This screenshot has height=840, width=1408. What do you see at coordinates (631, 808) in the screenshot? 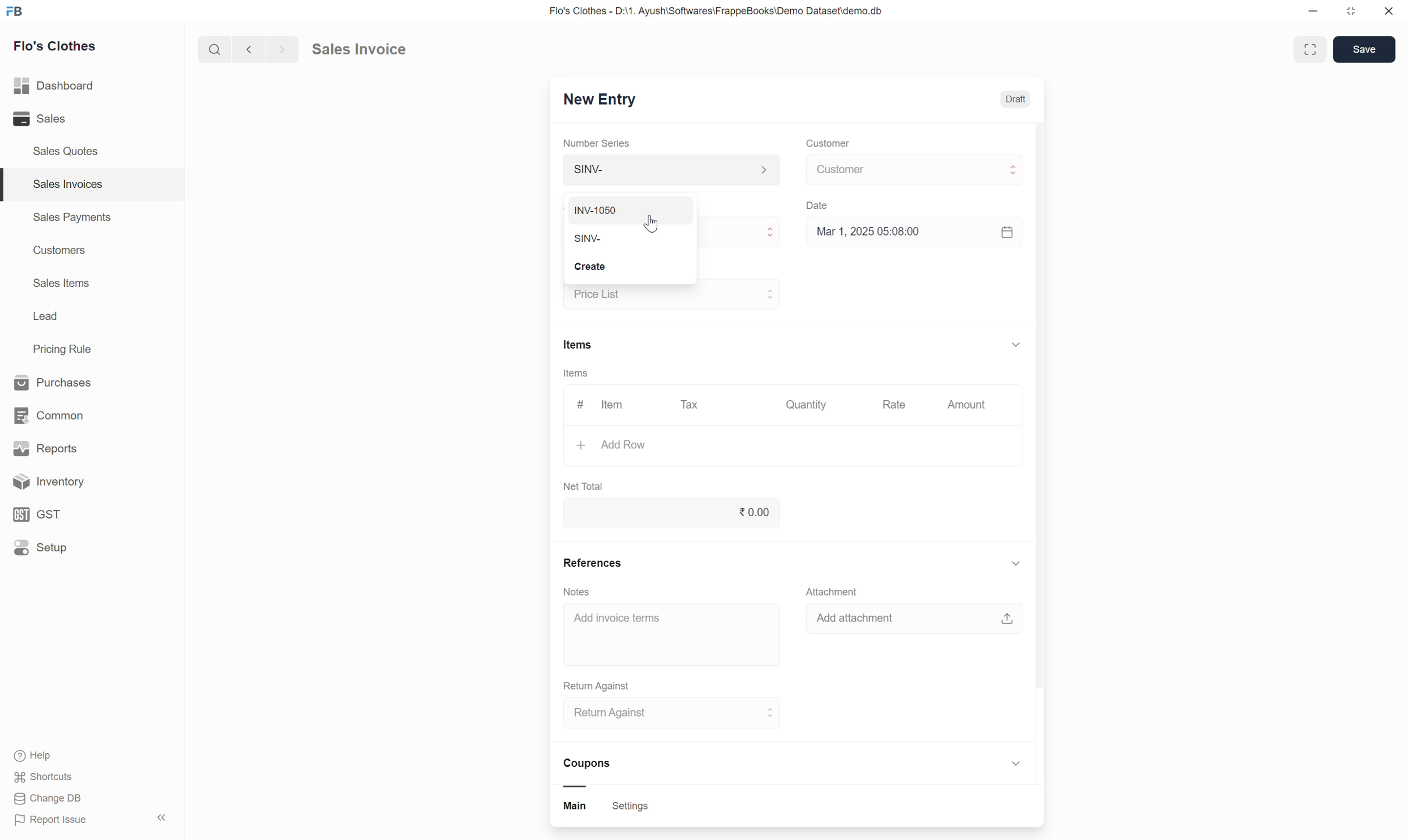
I see `settings` at bounding box center [631, 808].